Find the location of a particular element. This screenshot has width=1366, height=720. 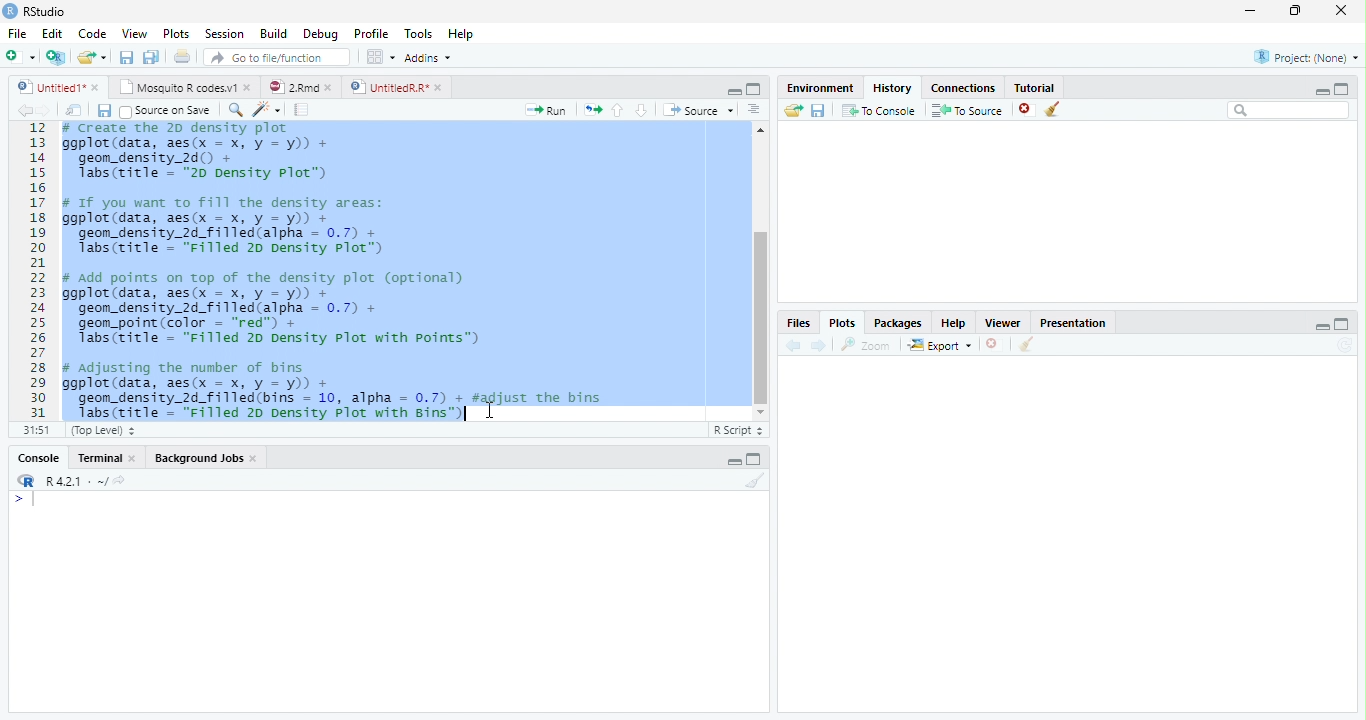

To source is located at coordinates (968, 111).